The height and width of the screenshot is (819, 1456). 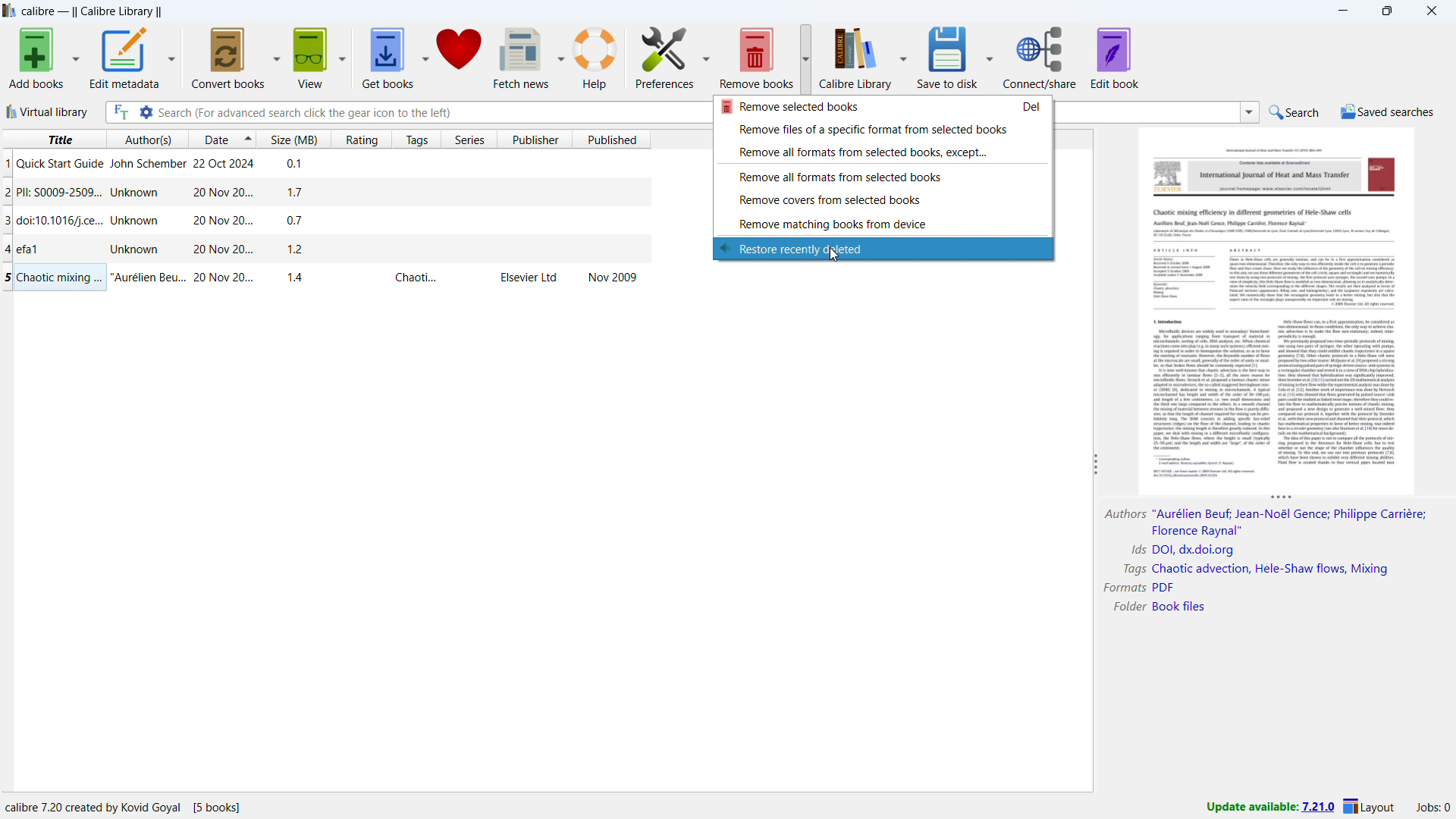 What do you see at coordinates (52, 139) in the screenshot?
I see `sort by title` at bounding box center [52, 139].